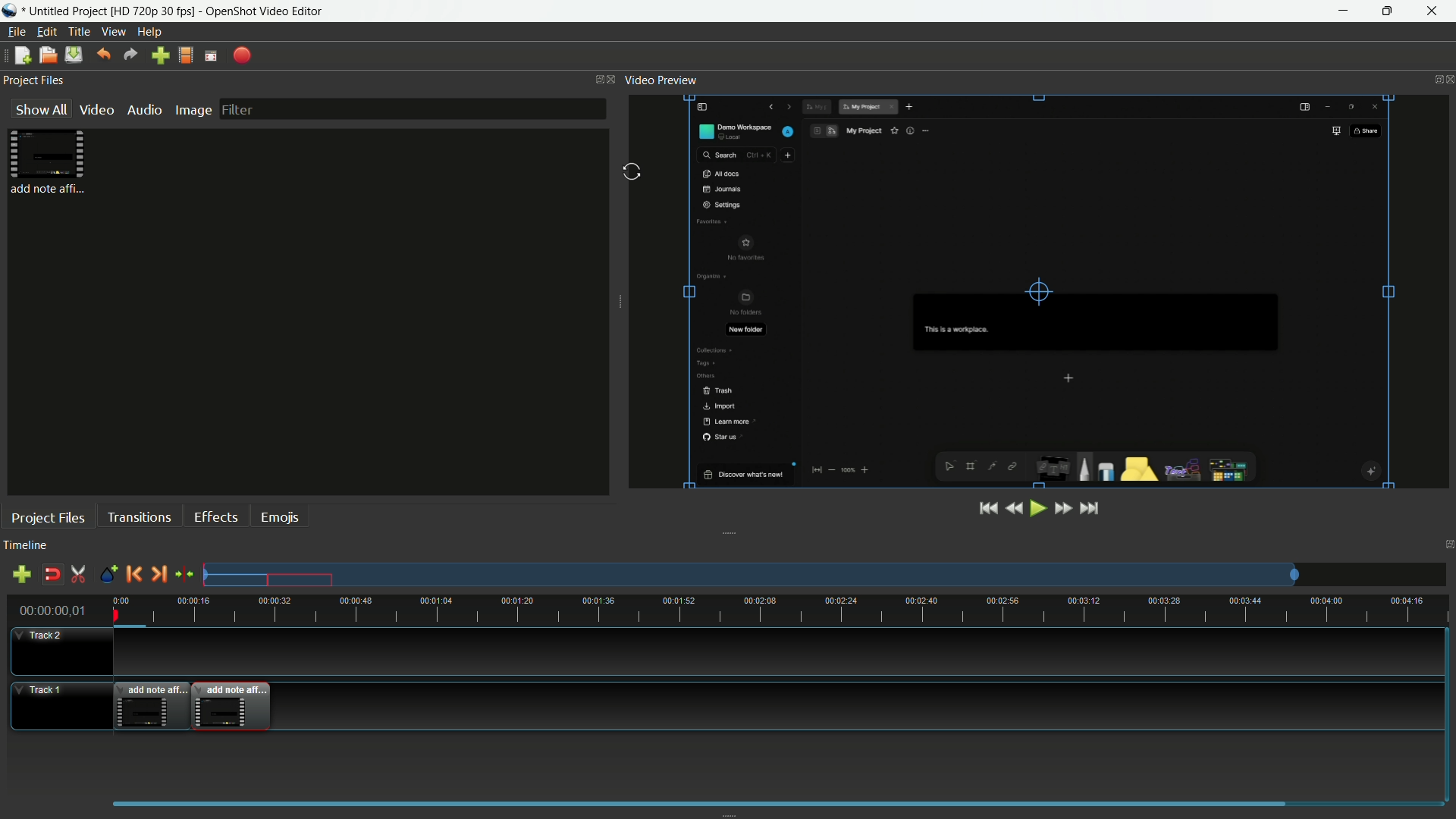 Image resolution: width=1456 pixels, height=819 pixels. I want to click on filter bar, so click(412, 108).